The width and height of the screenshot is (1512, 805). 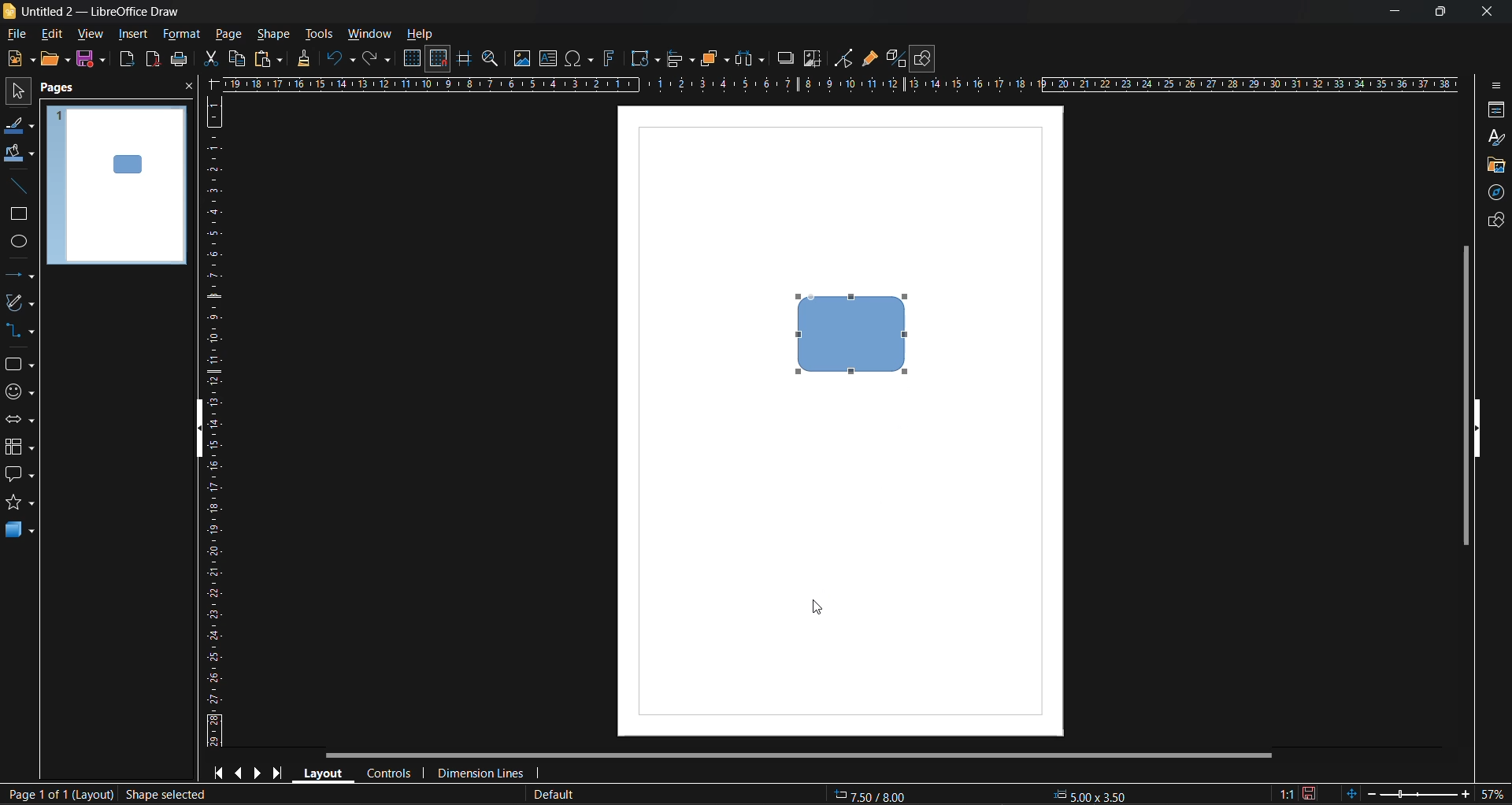 What do you see at coordinates (1311, 794) in the screenshot?
I see `click to save` at bounding box center [1311, 794].